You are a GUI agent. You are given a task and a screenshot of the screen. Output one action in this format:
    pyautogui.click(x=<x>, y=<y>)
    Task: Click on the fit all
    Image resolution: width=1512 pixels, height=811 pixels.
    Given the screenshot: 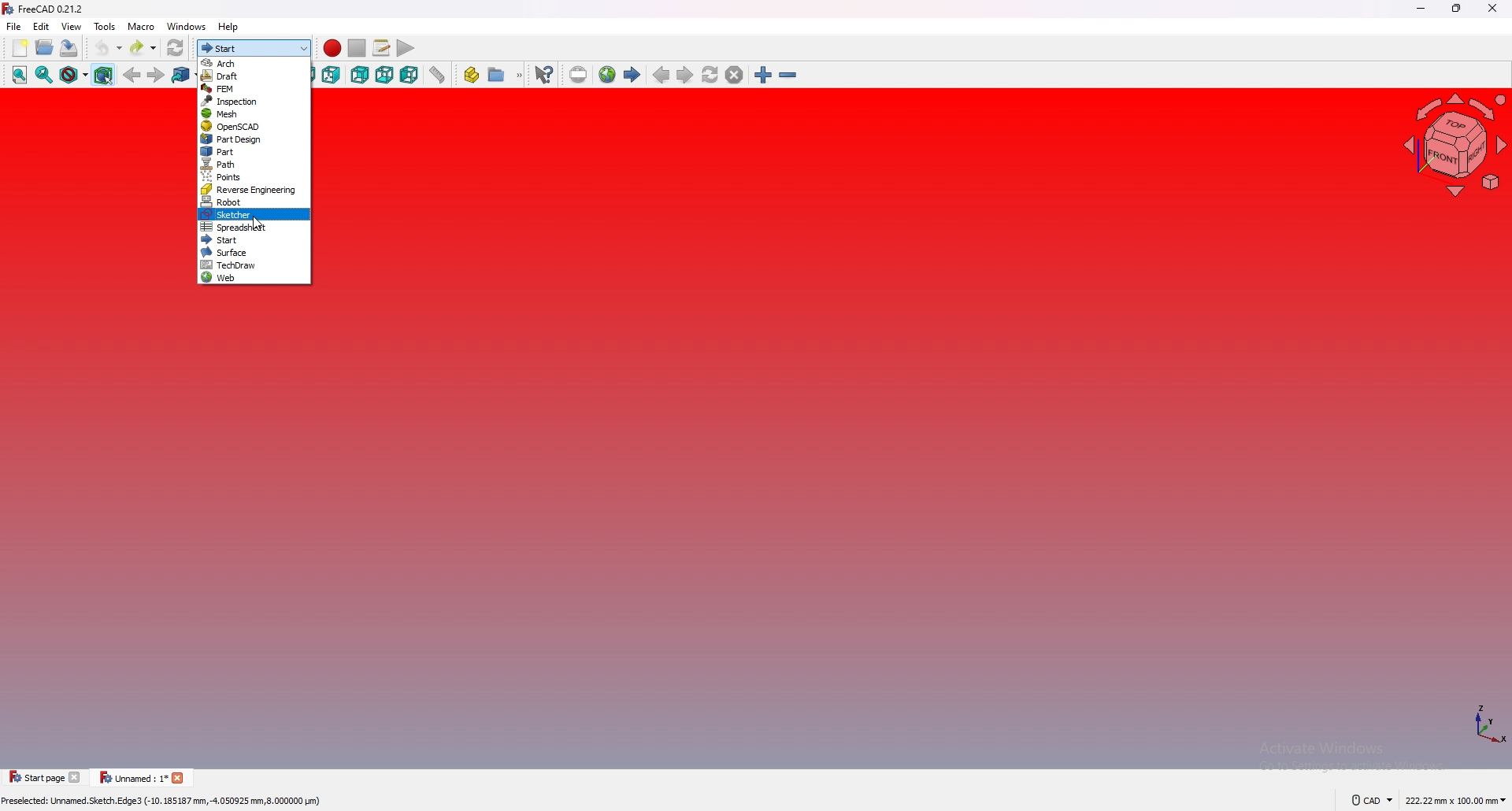 What is the action you would take?
    pyautogui.click(x=19, y=75)
    